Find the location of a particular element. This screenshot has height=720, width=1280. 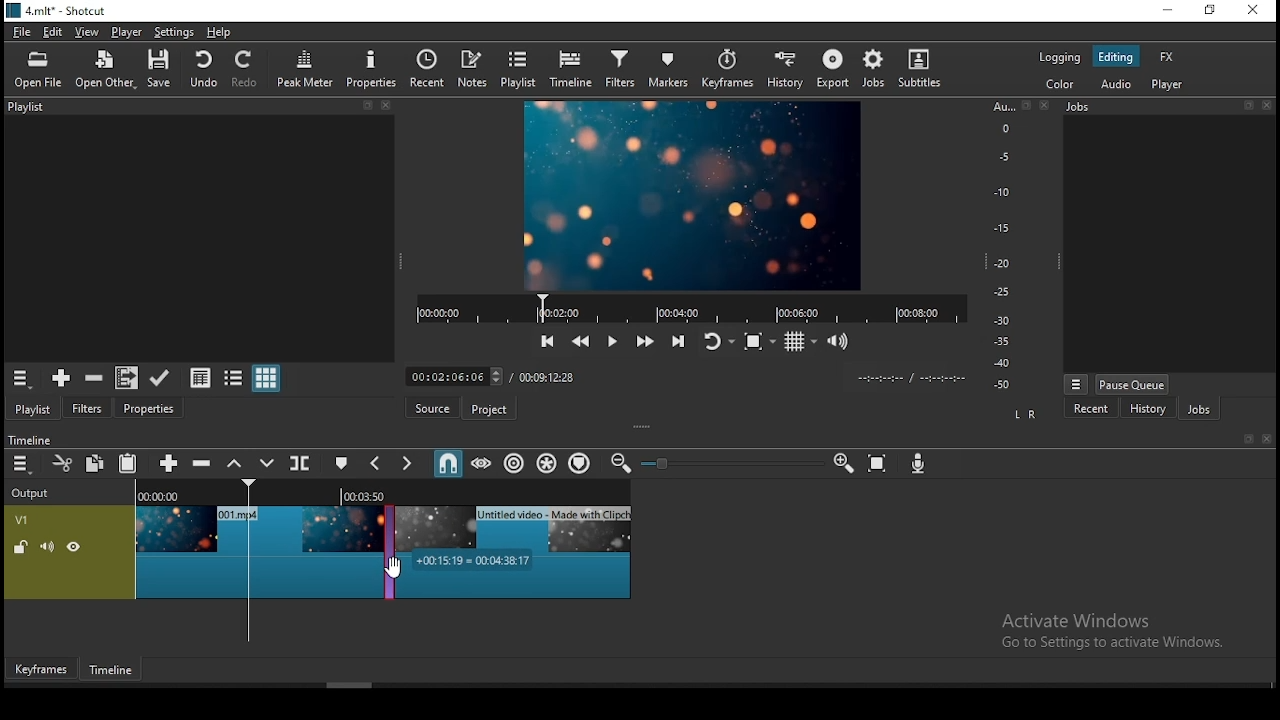

markers is located at coordinates (674, 68).